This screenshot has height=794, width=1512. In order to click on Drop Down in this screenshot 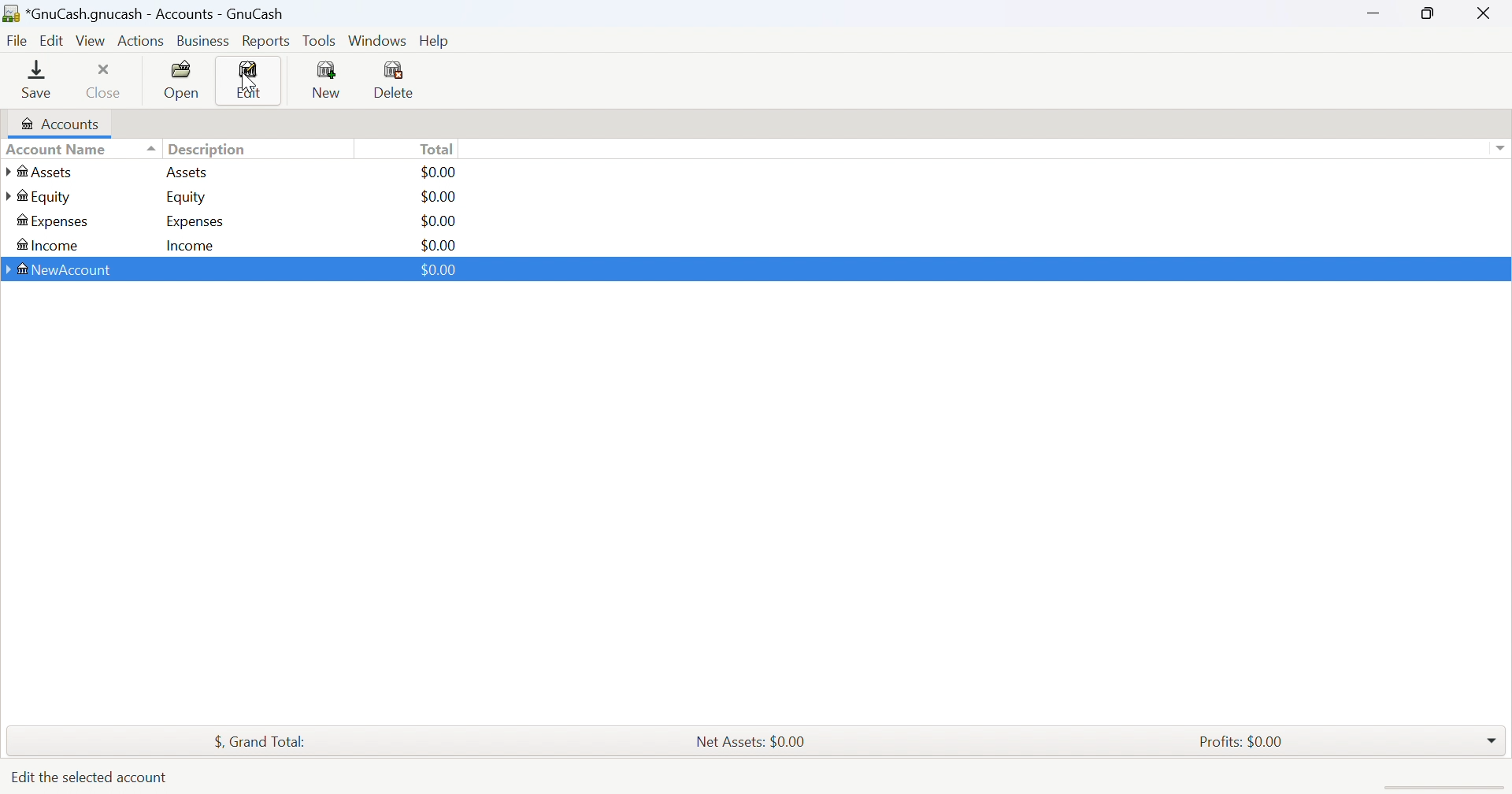, I will do `click(1492, 736)`.